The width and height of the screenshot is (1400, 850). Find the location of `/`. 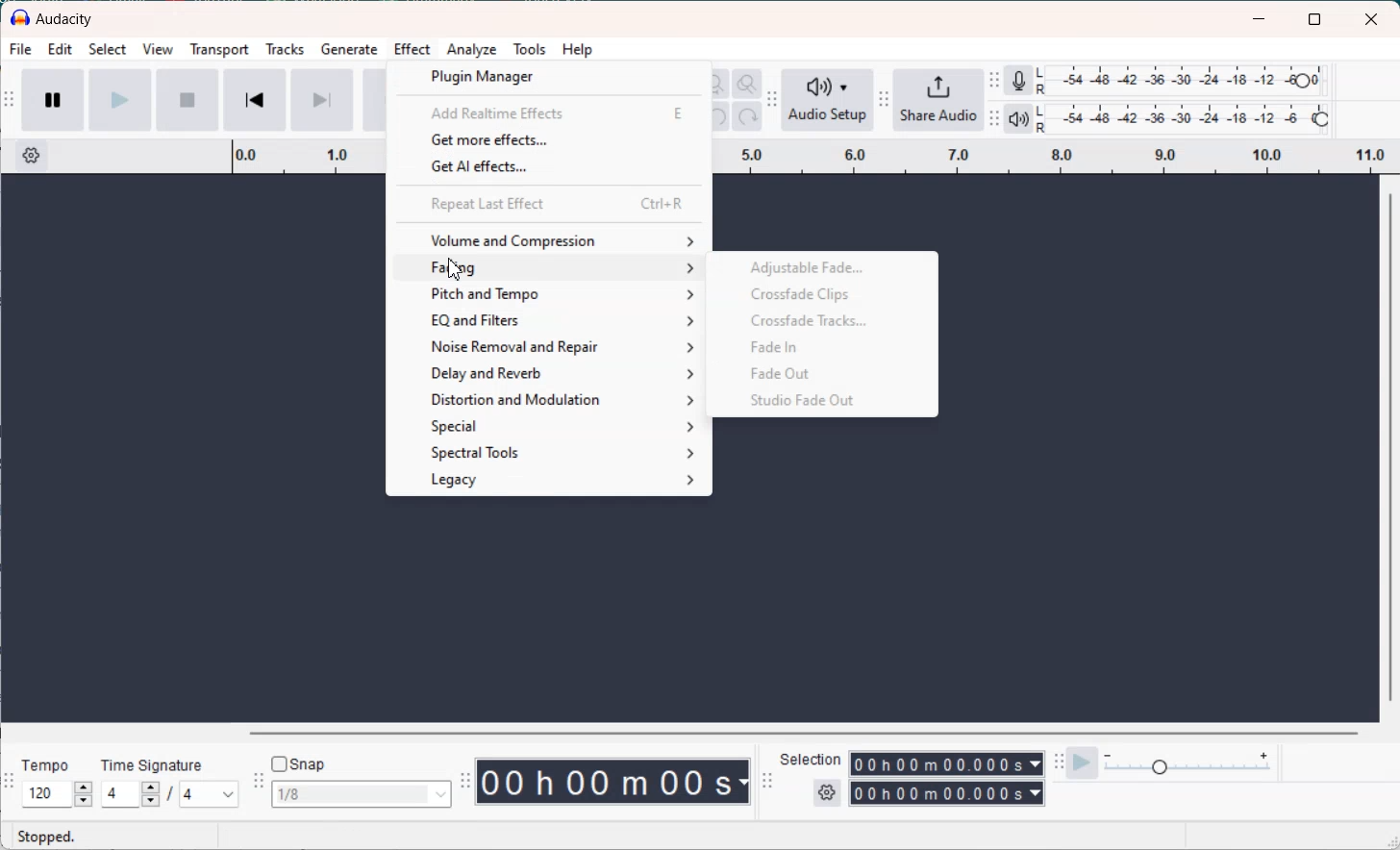

/ is located at coordinates (173, 796).